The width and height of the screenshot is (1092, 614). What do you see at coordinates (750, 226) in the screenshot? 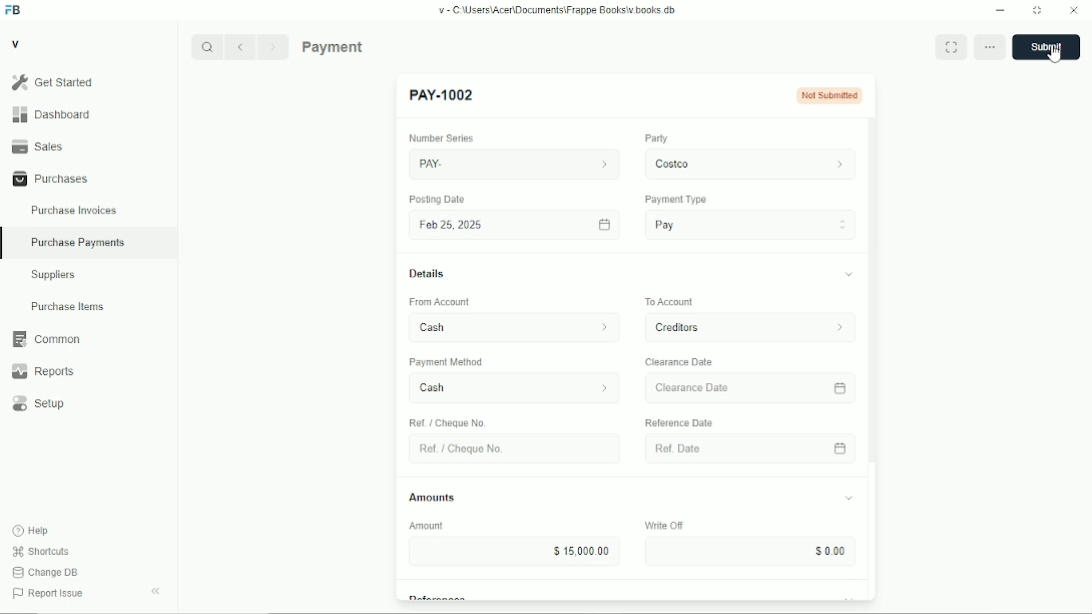
I see `Pay` at bounding box center [750, 226].